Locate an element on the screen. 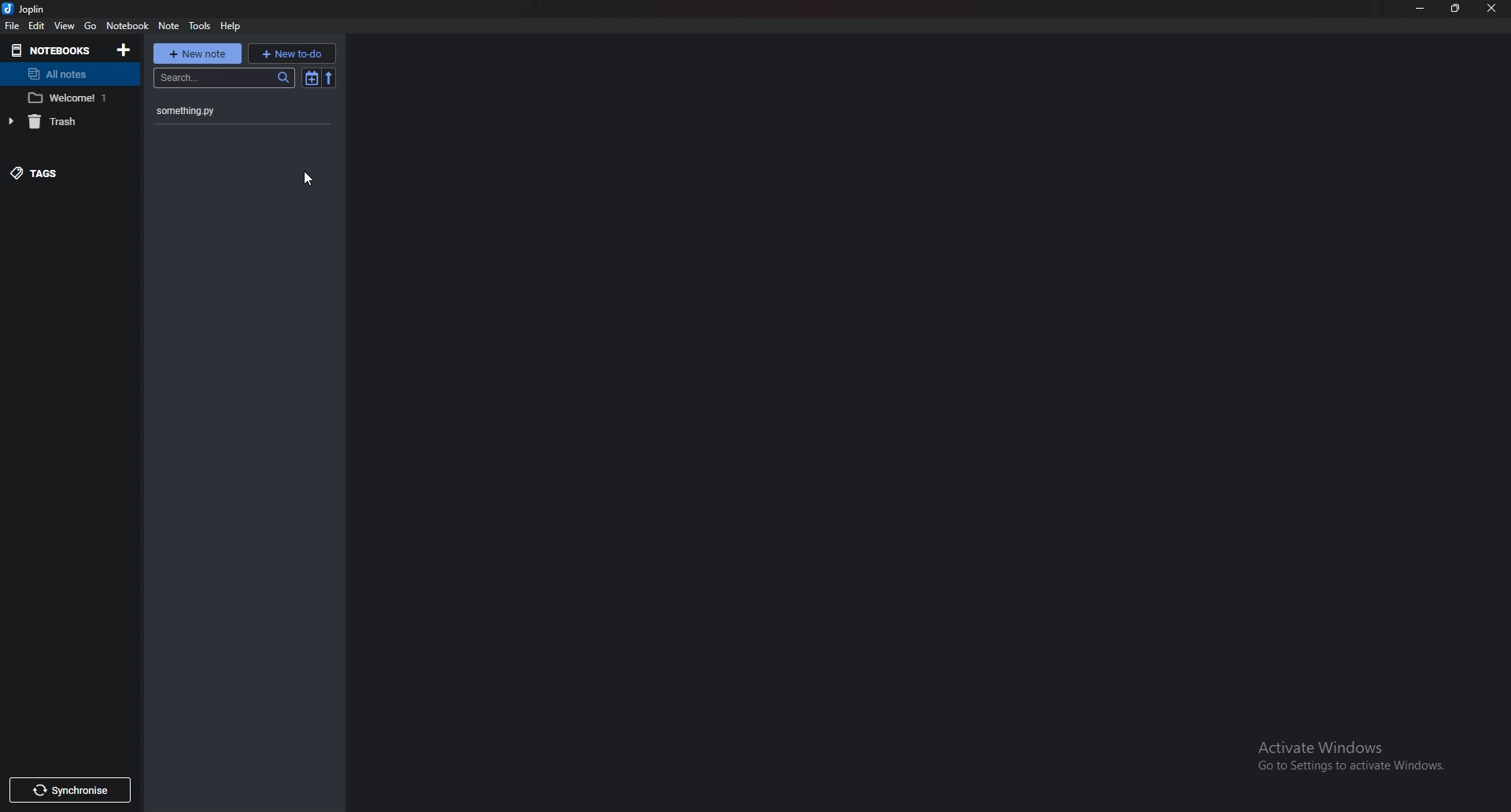 Image resolution: width=1511 pixels, height=812 pixels. something.py is located at coordinates (220, 113).